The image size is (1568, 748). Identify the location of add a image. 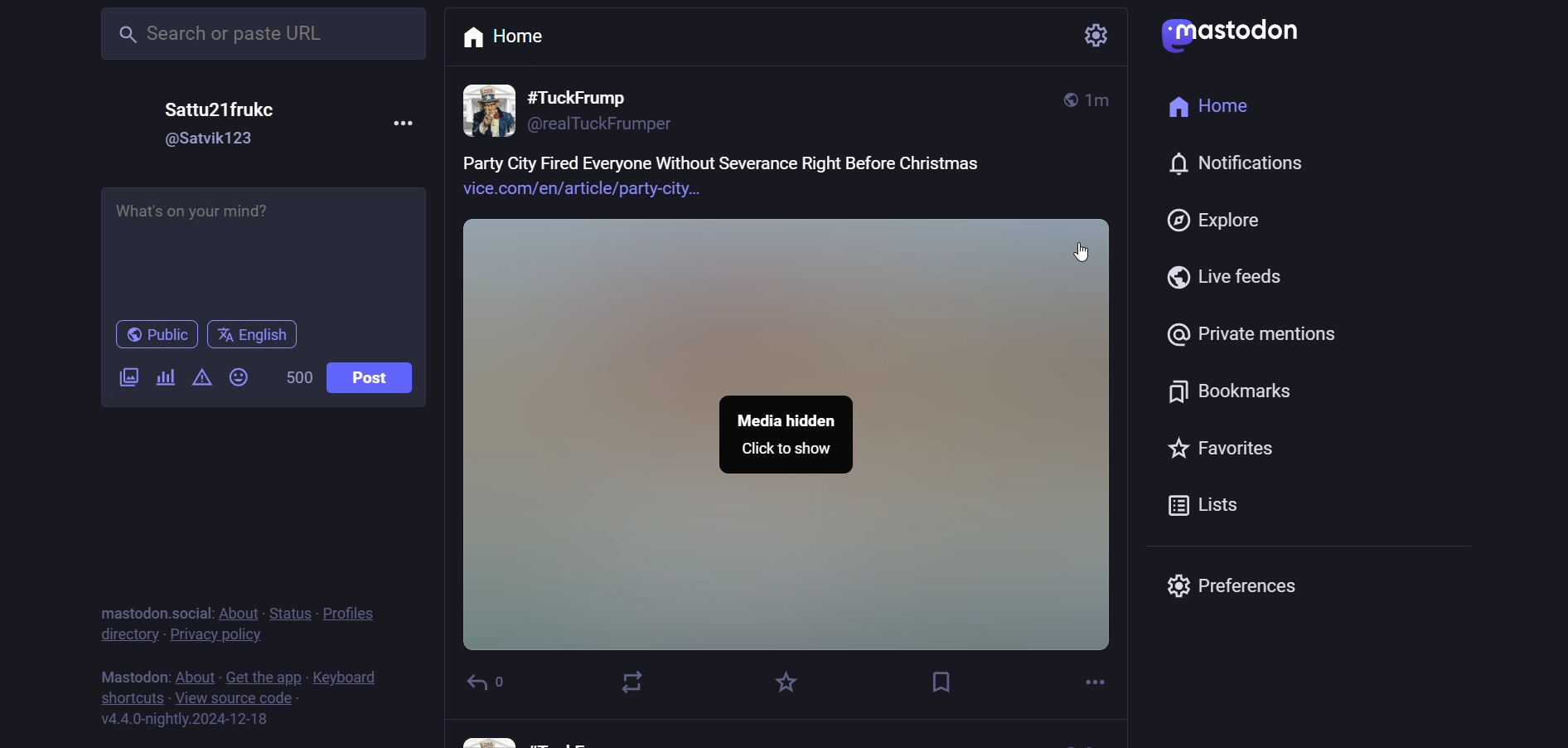
(127, 374).